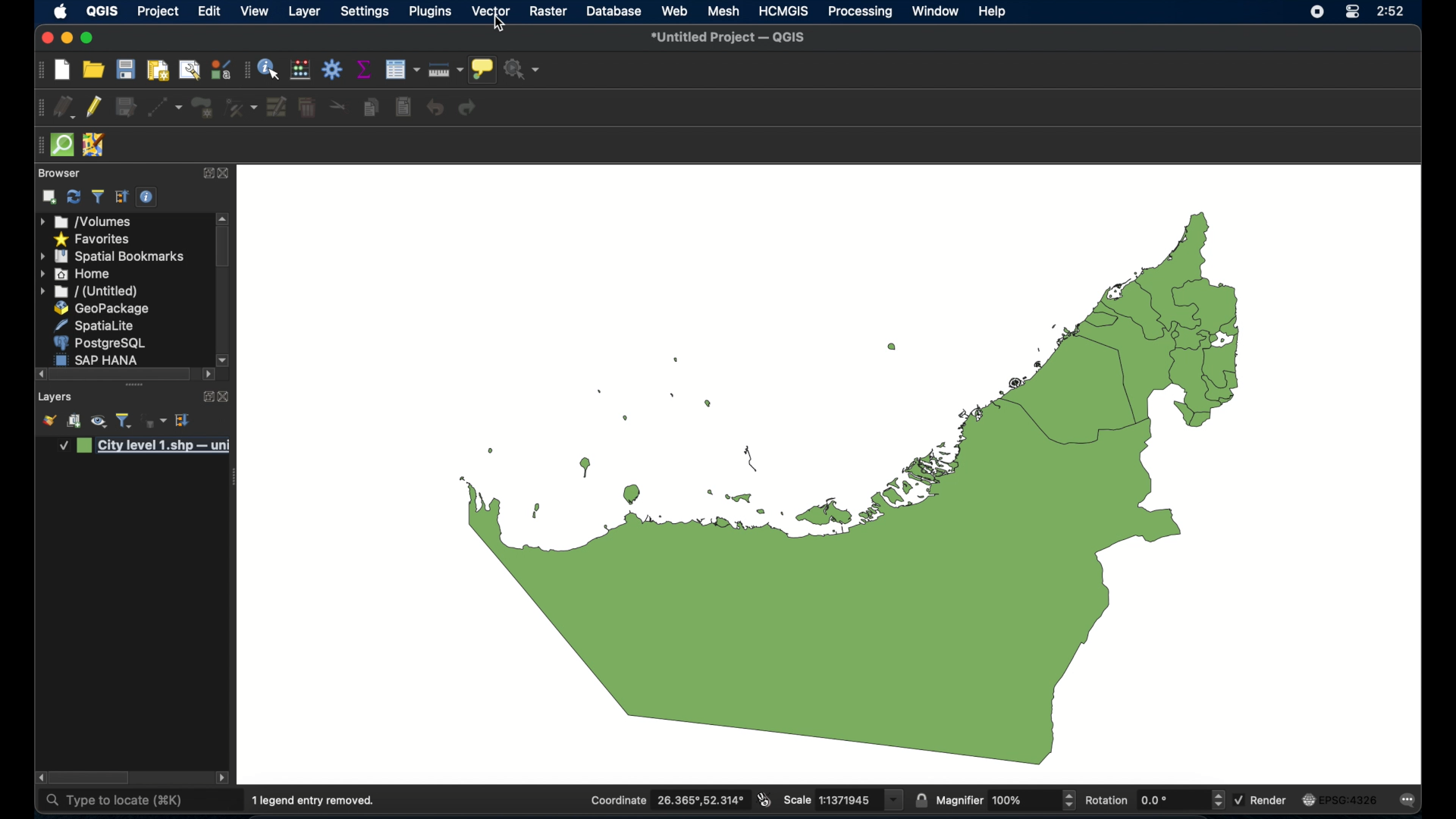 This screenshot has height=819, width=1456. I want to click on maximize, so click(88, 39).